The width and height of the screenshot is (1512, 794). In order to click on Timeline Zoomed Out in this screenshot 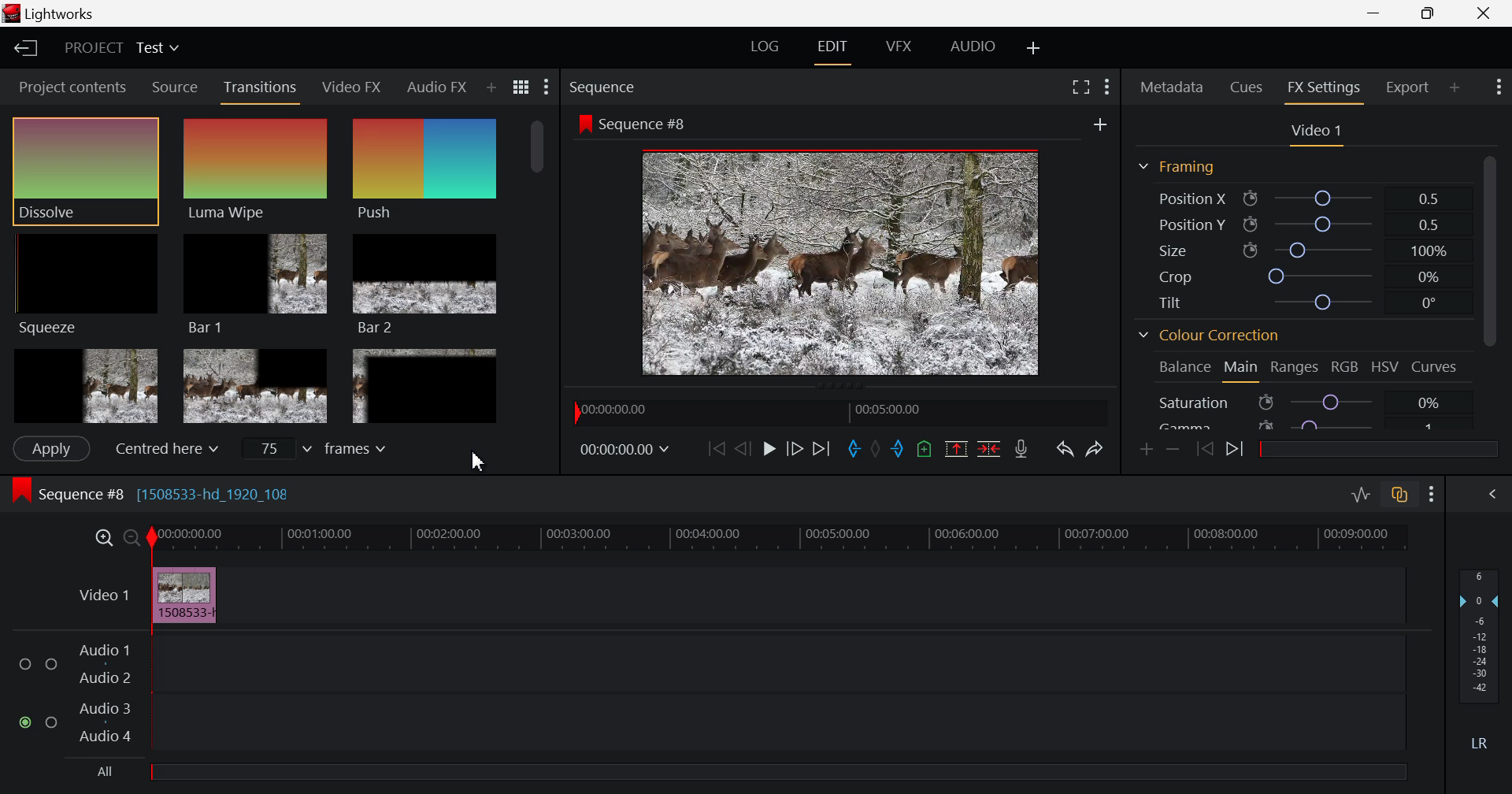, I will do `click(132, 540)`.